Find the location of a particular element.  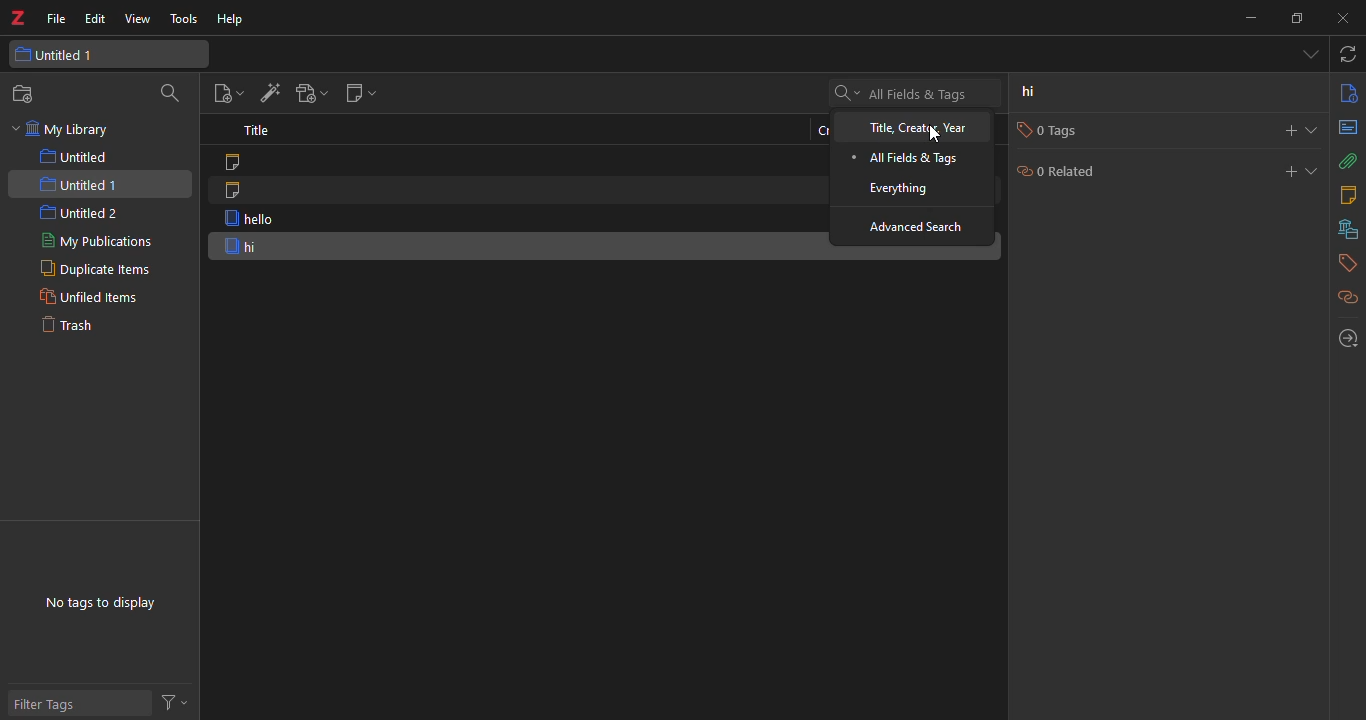

info is located at coordinates (1347, 95).